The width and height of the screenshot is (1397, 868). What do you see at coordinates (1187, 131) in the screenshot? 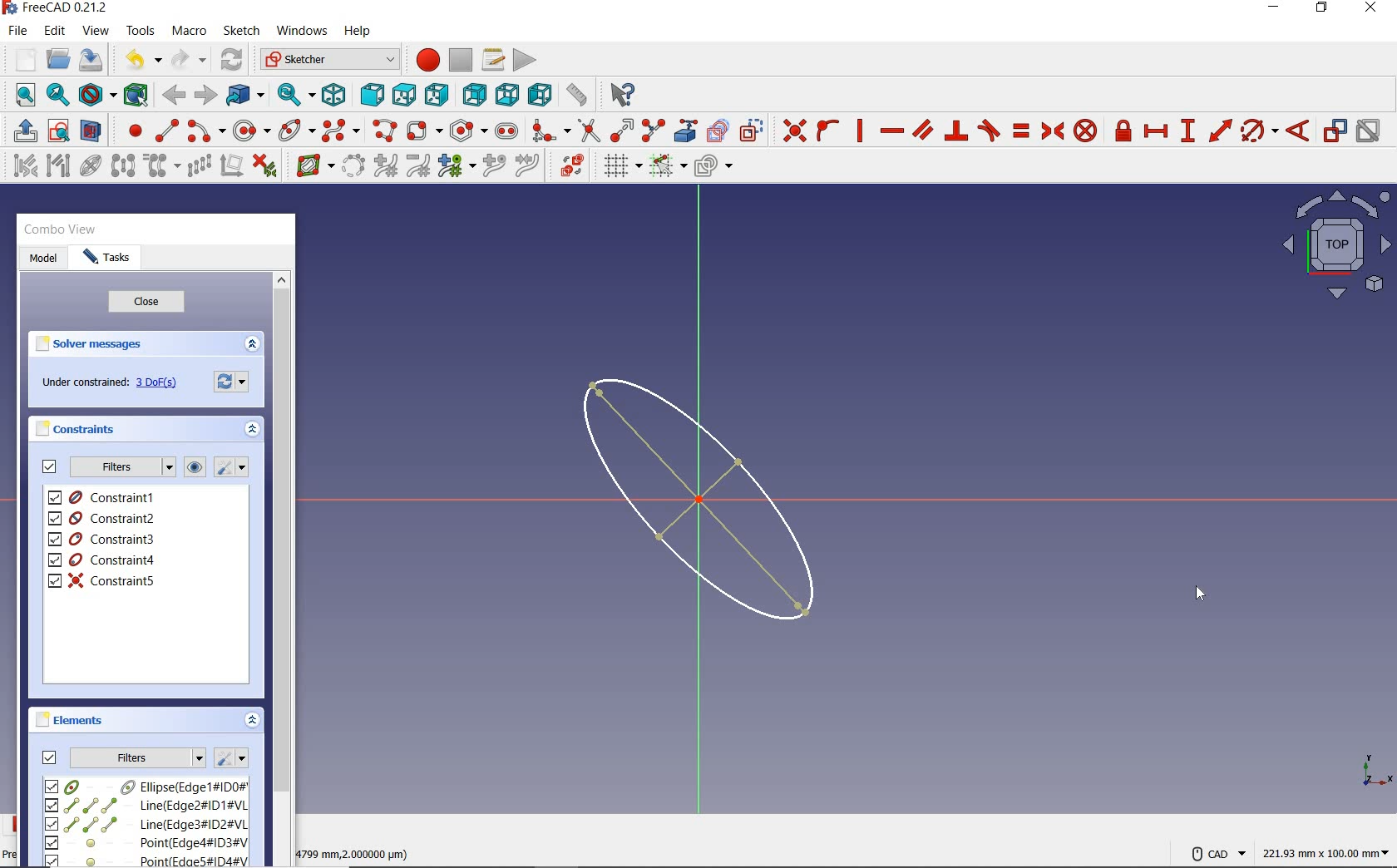
I see `constrain vertical distance` at bounding box center [1187, 131].